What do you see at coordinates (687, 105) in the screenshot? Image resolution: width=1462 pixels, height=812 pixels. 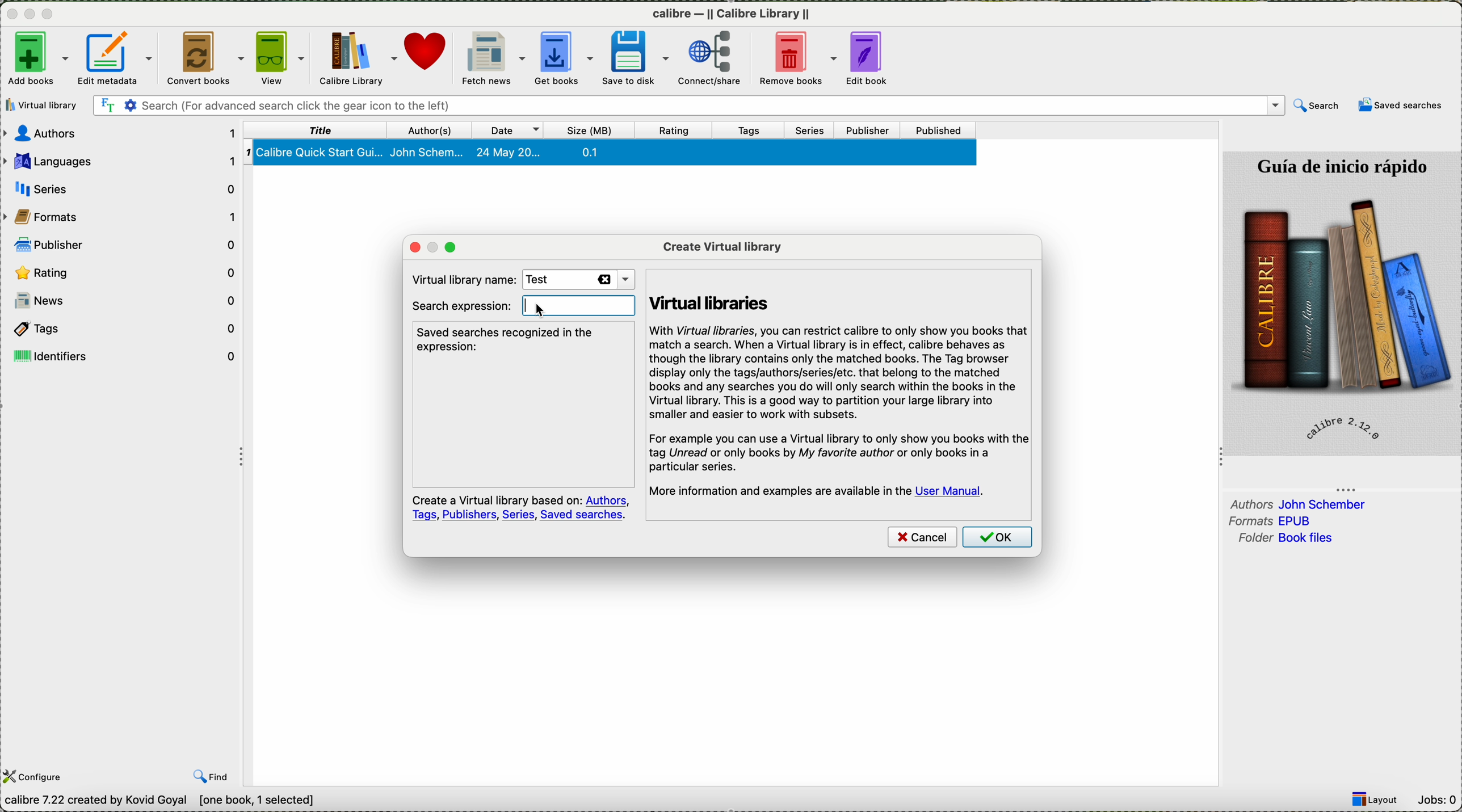 I see `search` at bounding box center [687, 105].